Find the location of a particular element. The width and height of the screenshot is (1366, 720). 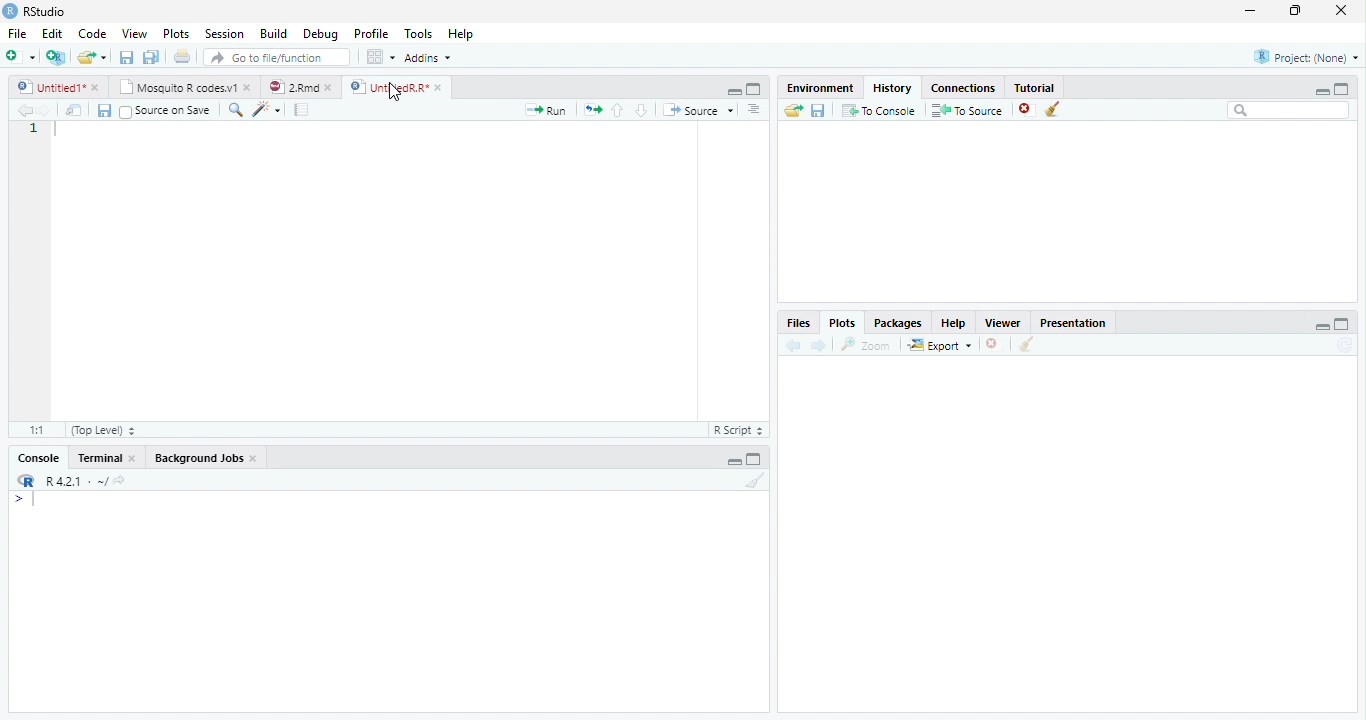

Show in new window is located at coordinates (73, 110).